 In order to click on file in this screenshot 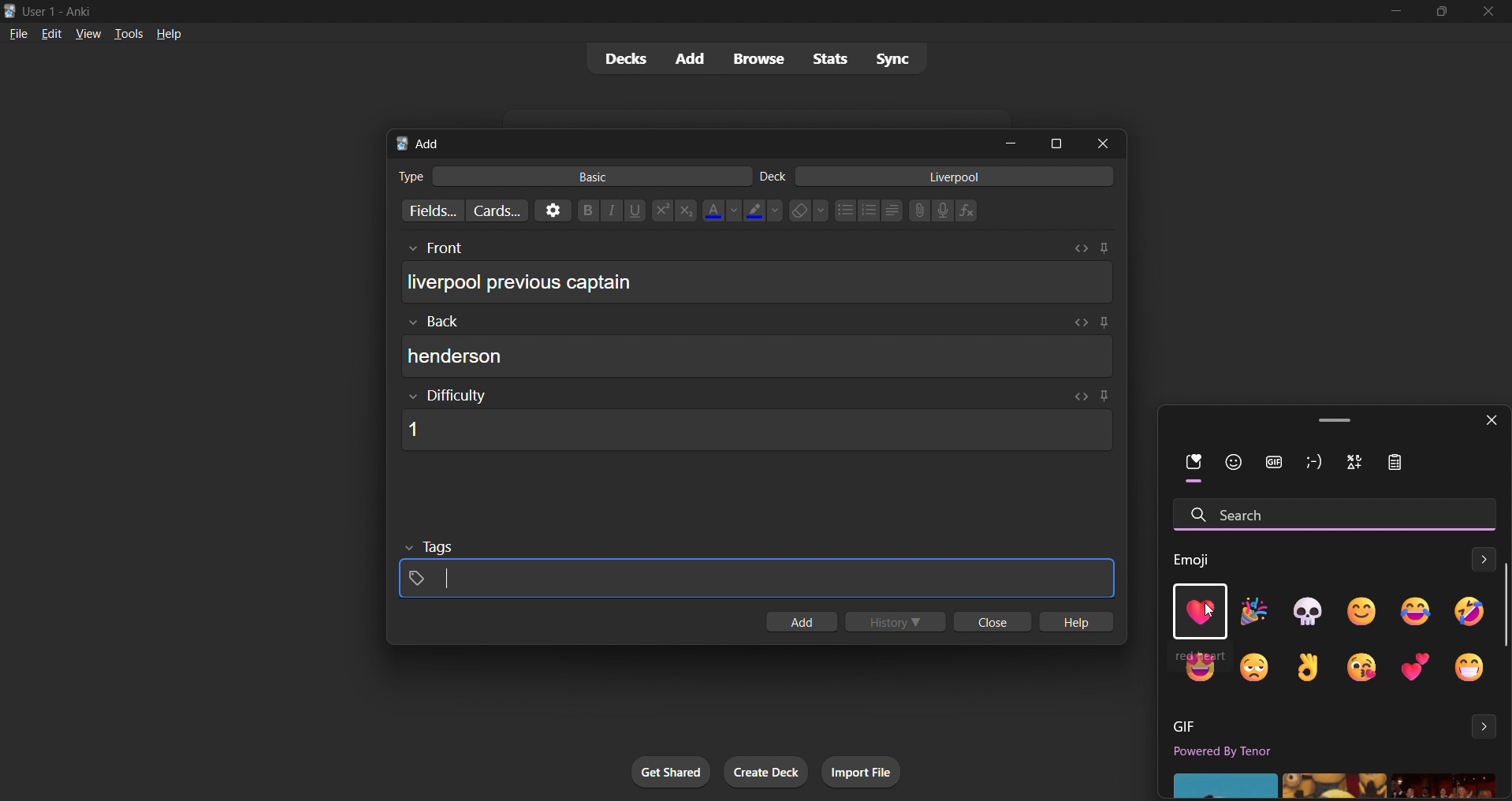, I will do `click(15, 33)`.